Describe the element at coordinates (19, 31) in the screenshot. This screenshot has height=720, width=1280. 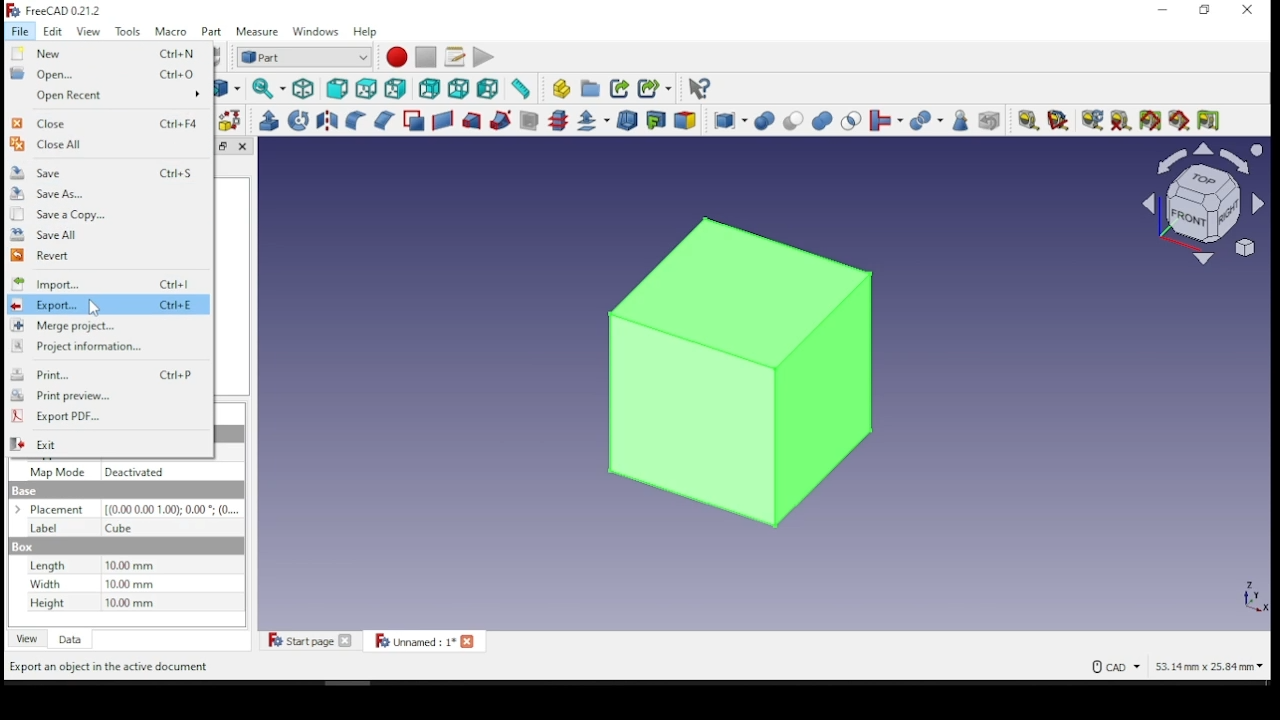
I see `File` at that location.